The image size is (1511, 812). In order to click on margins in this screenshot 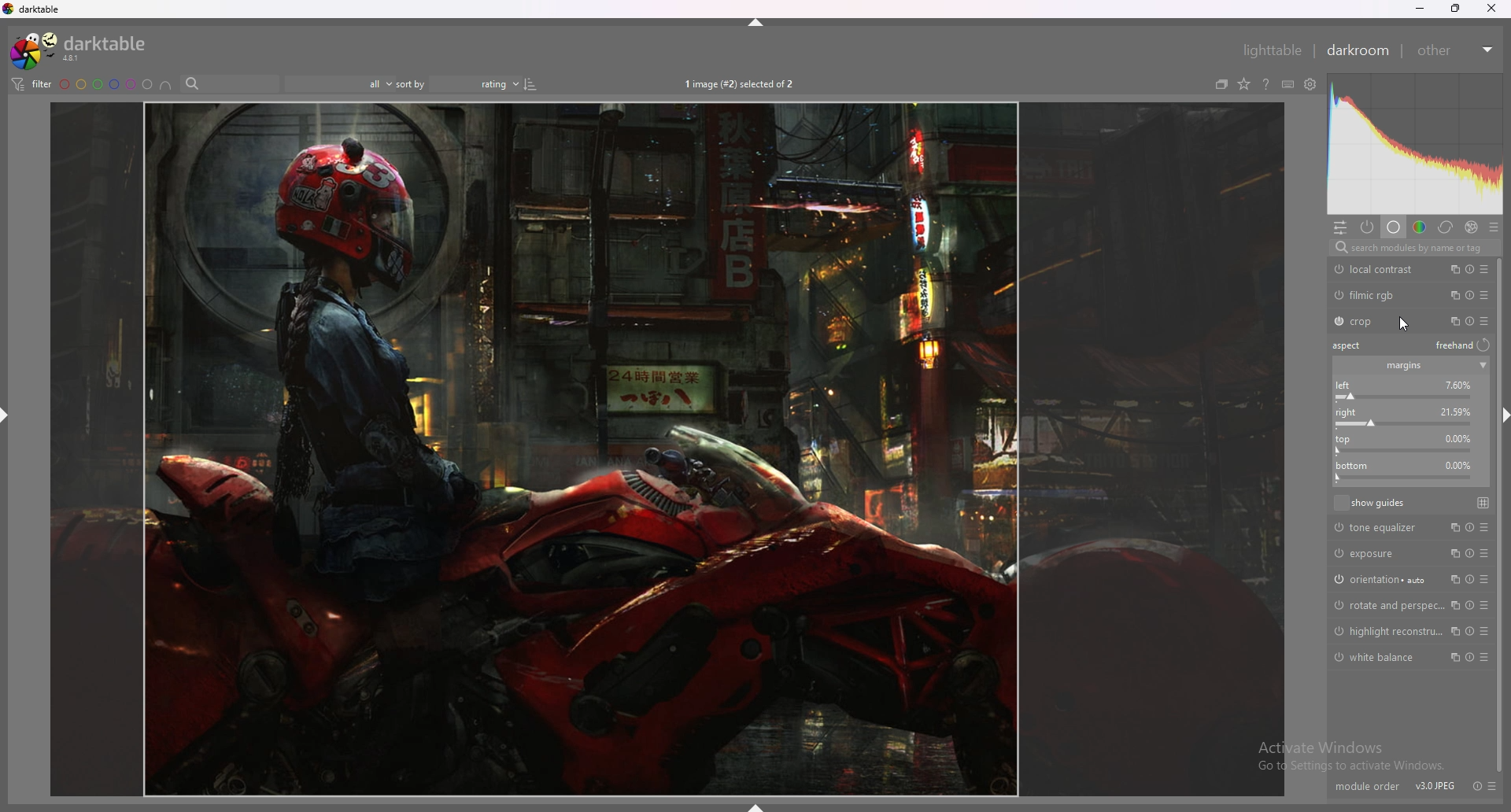, I will do `click(1403, 367)`.